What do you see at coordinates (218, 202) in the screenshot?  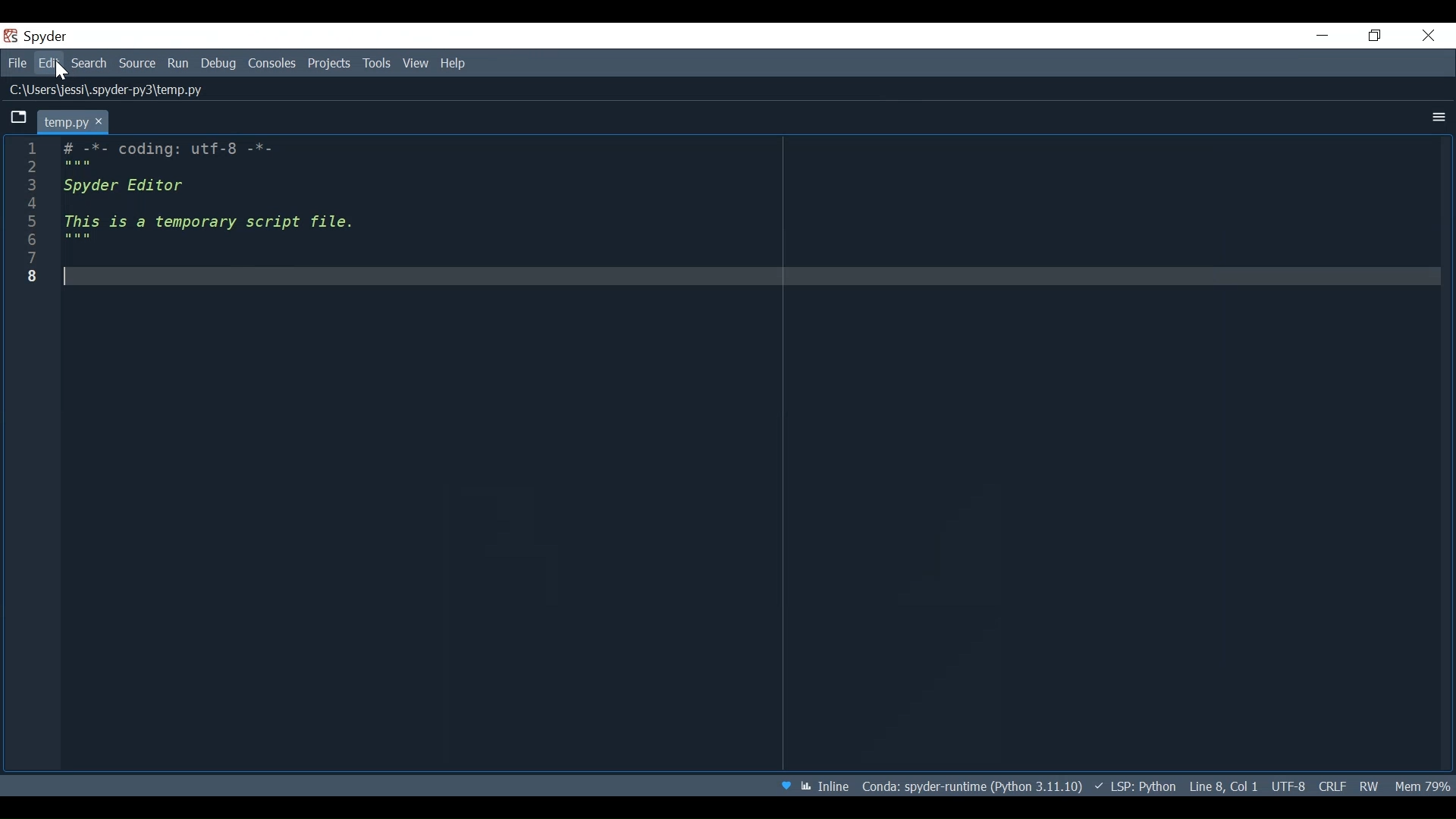 I see `# -*- coding: utf-8 -*-
Spyder Editor
This is a temporary script file.` at bounding box center [218, 202].